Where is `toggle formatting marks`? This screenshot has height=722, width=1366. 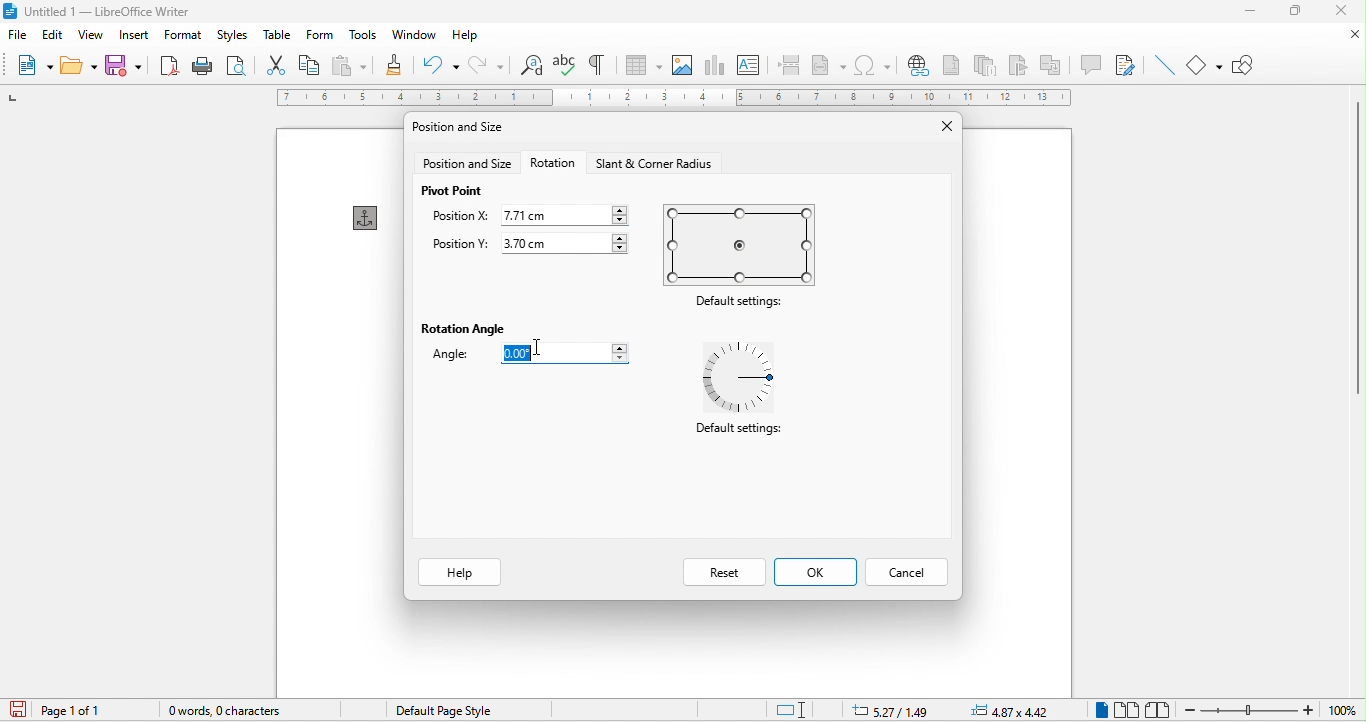 toggle formatting marks is located at coordinates (600, 63).